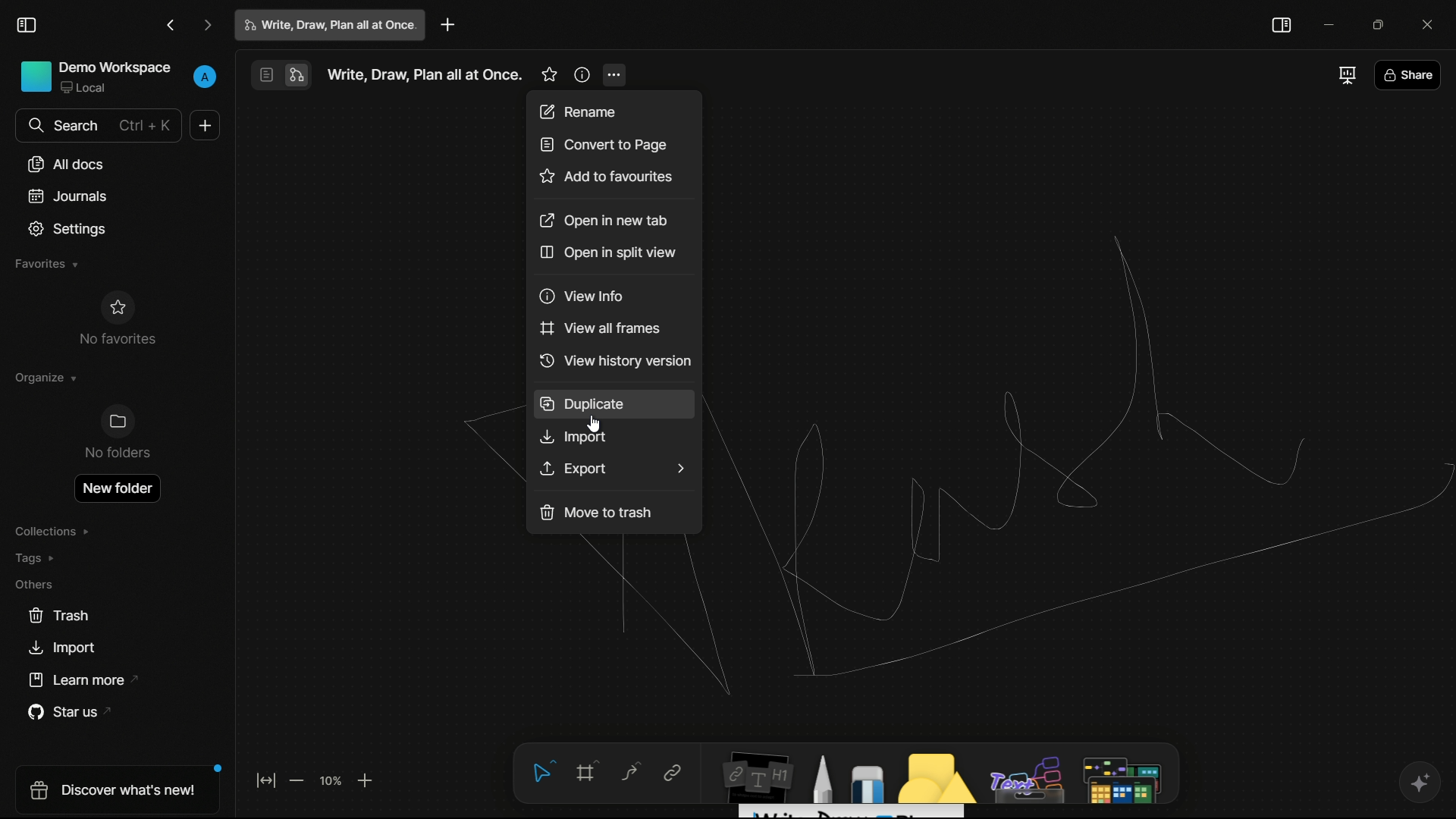  Describe the element at coordinates (365, 782) in the screenshot. I see `zoom in` at that location.